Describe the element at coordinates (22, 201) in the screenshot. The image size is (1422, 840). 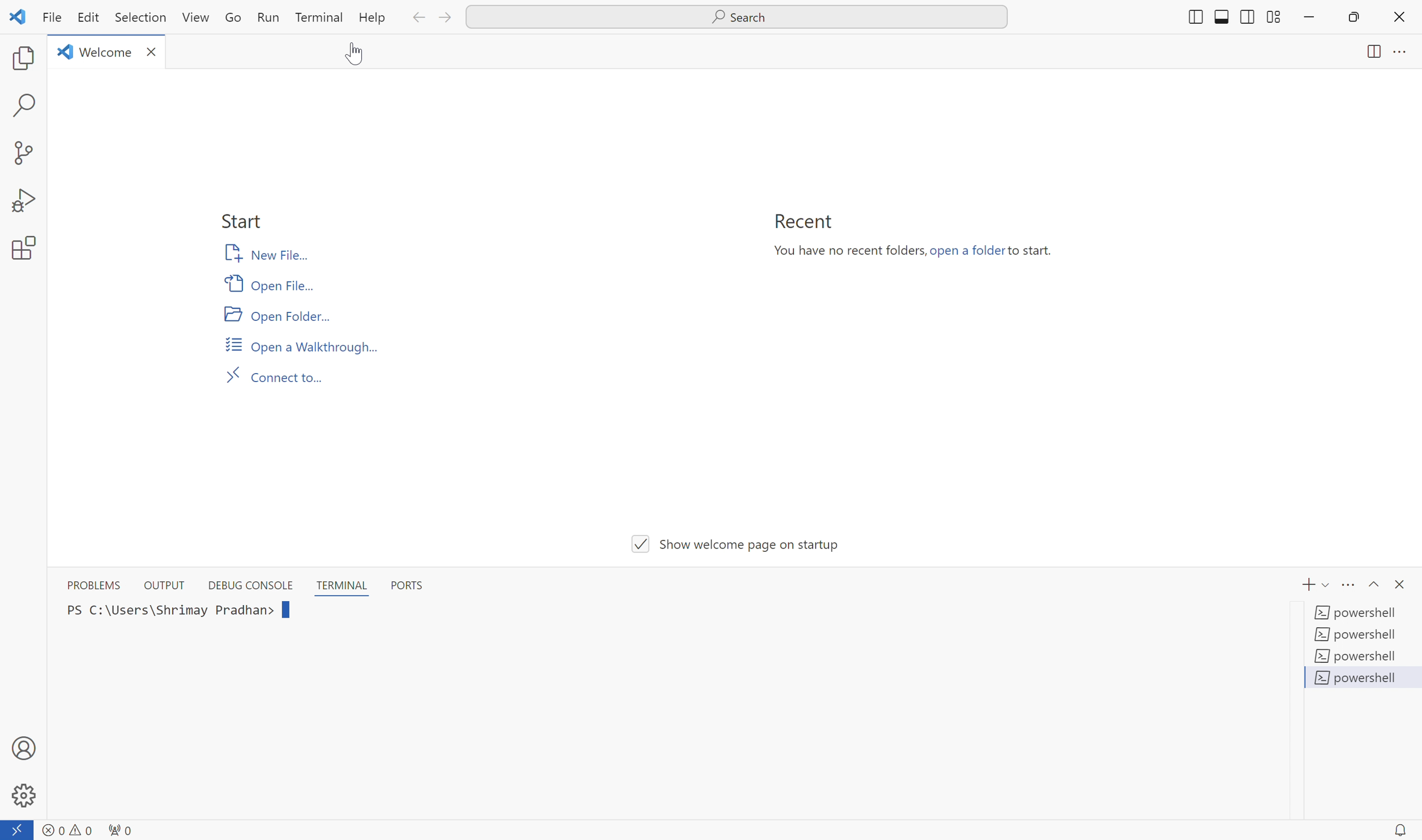
I see `run and debug` at that location.